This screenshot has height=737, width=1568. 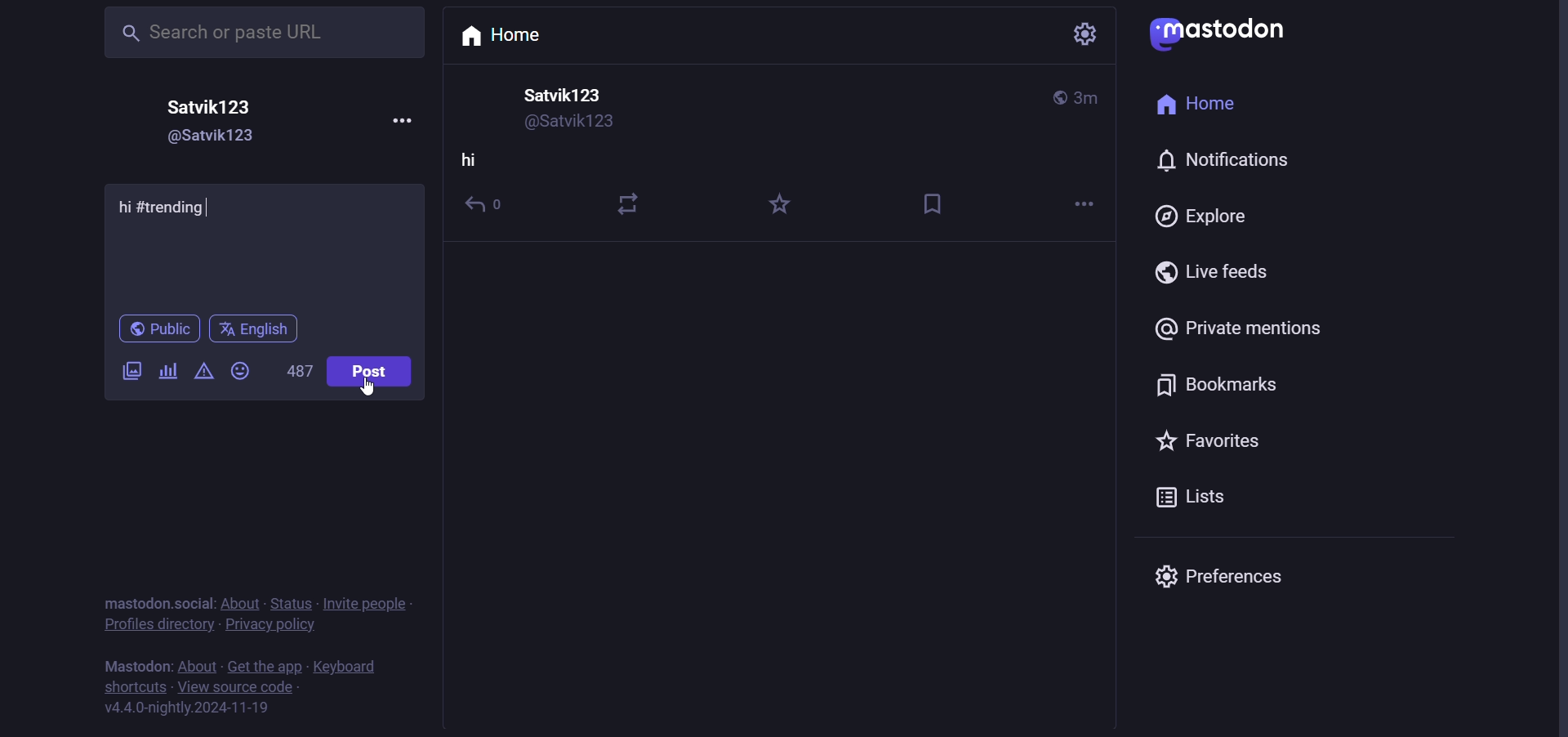 I want to click on private mention, so click(x=1236, y=331).